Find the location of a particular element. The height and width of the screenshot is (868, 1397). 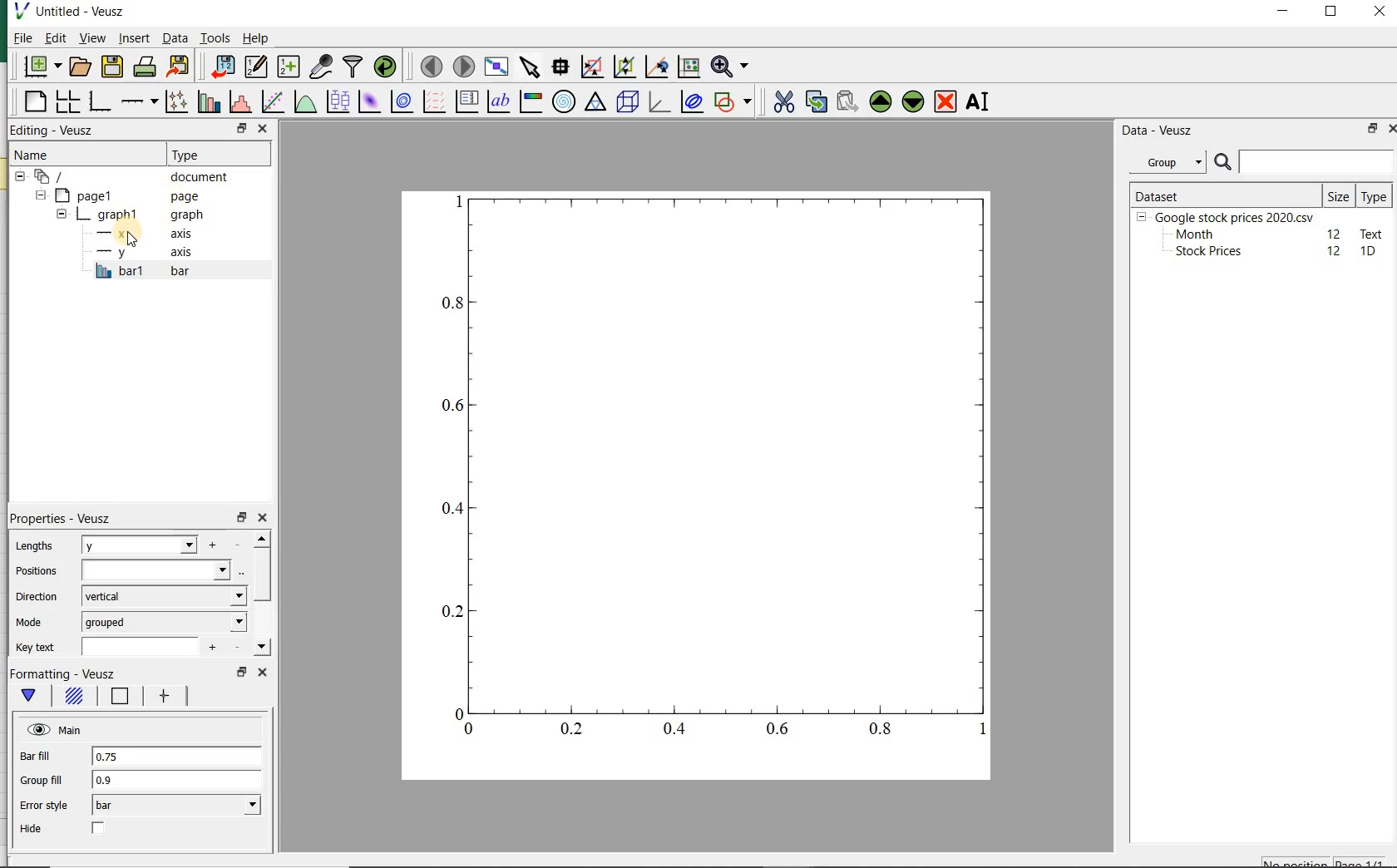

vertical is located at coordinates (165, 595).